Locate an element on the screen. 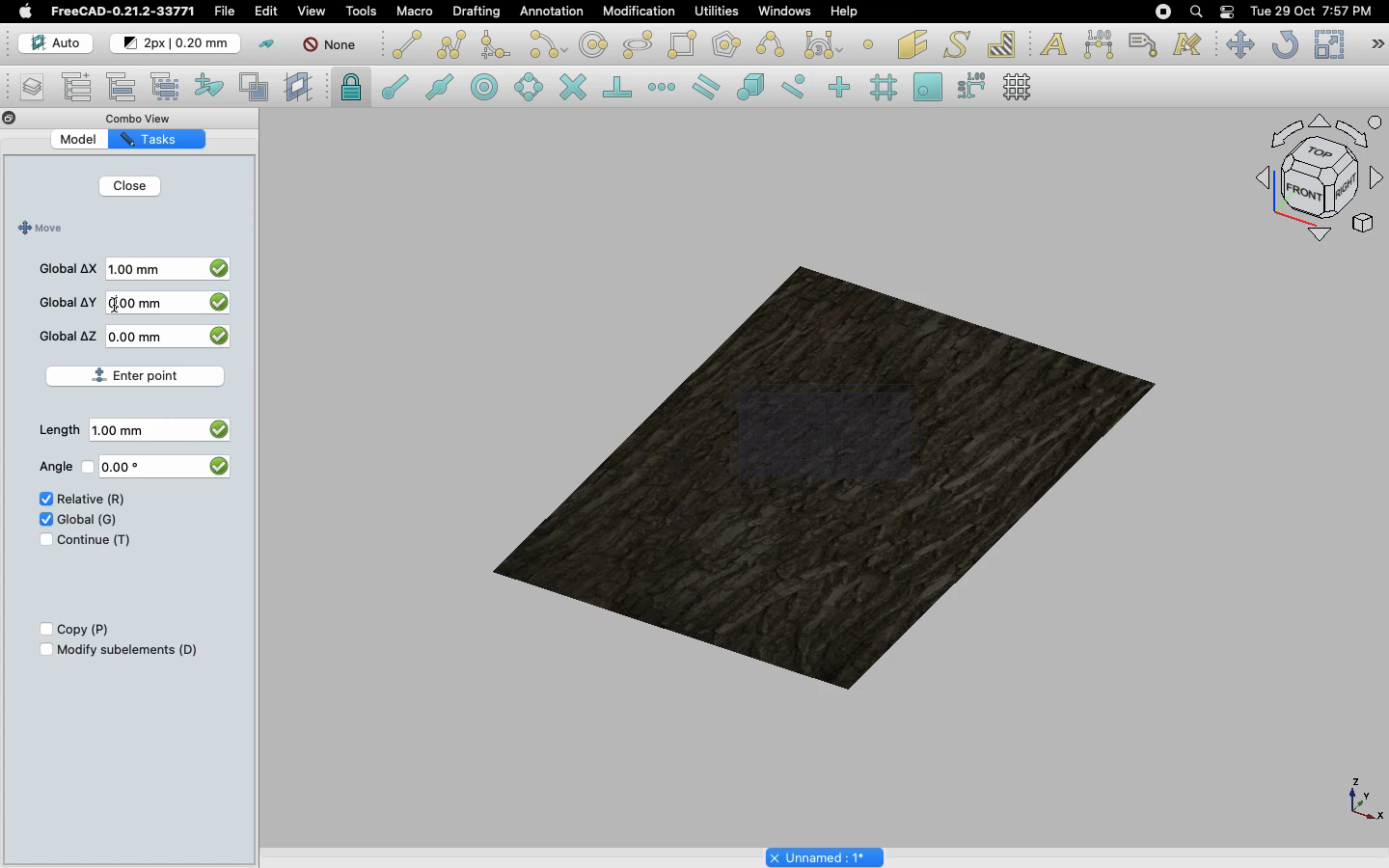 This screenshot has height=868, width=1389. Global Y is located at coordinates (68, 302).